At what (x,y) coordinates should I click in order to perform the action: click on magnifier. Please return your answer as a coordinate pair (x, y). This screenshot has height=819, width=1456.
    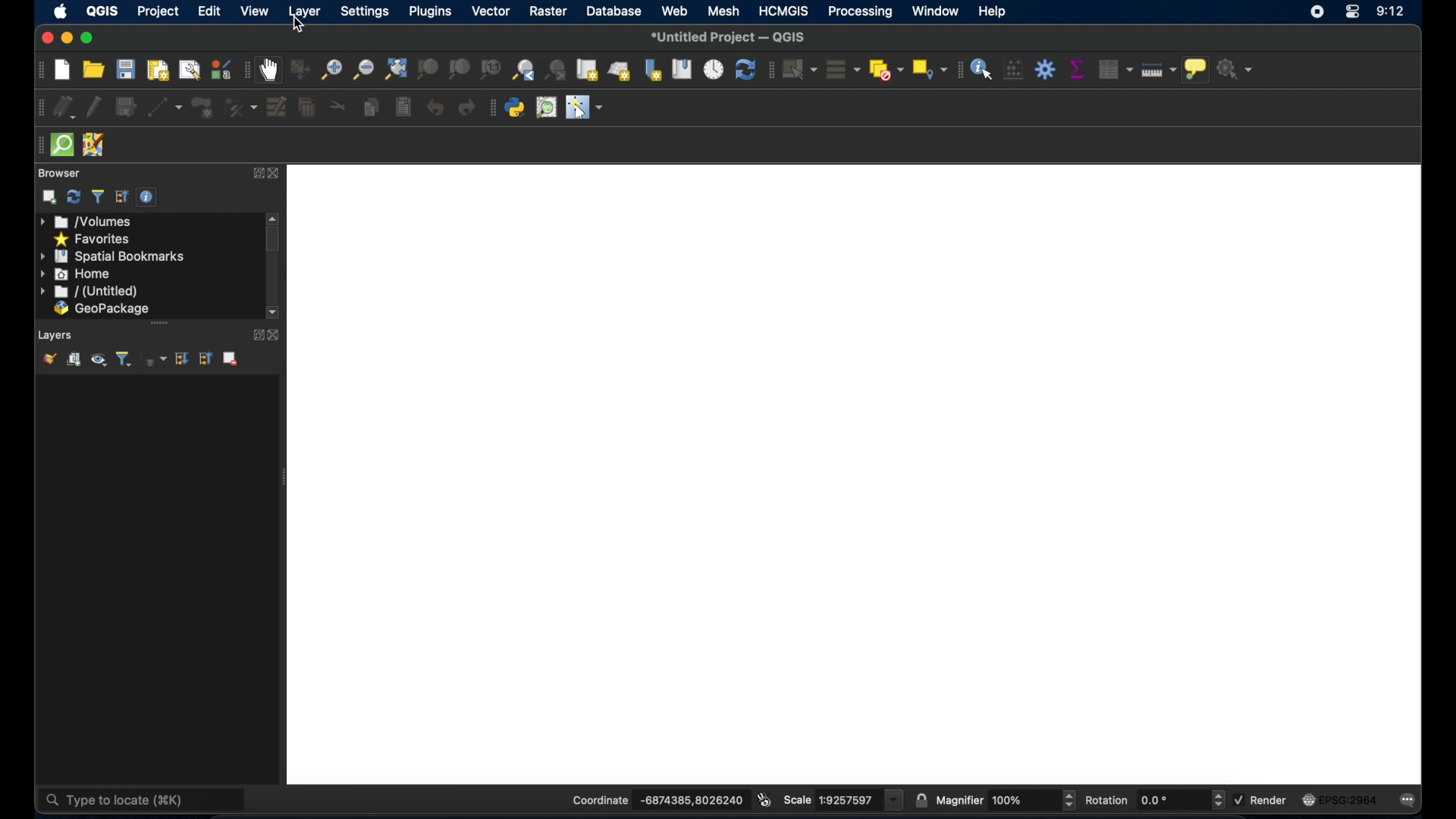
    Looking at the image, I should click on (1007, 798).